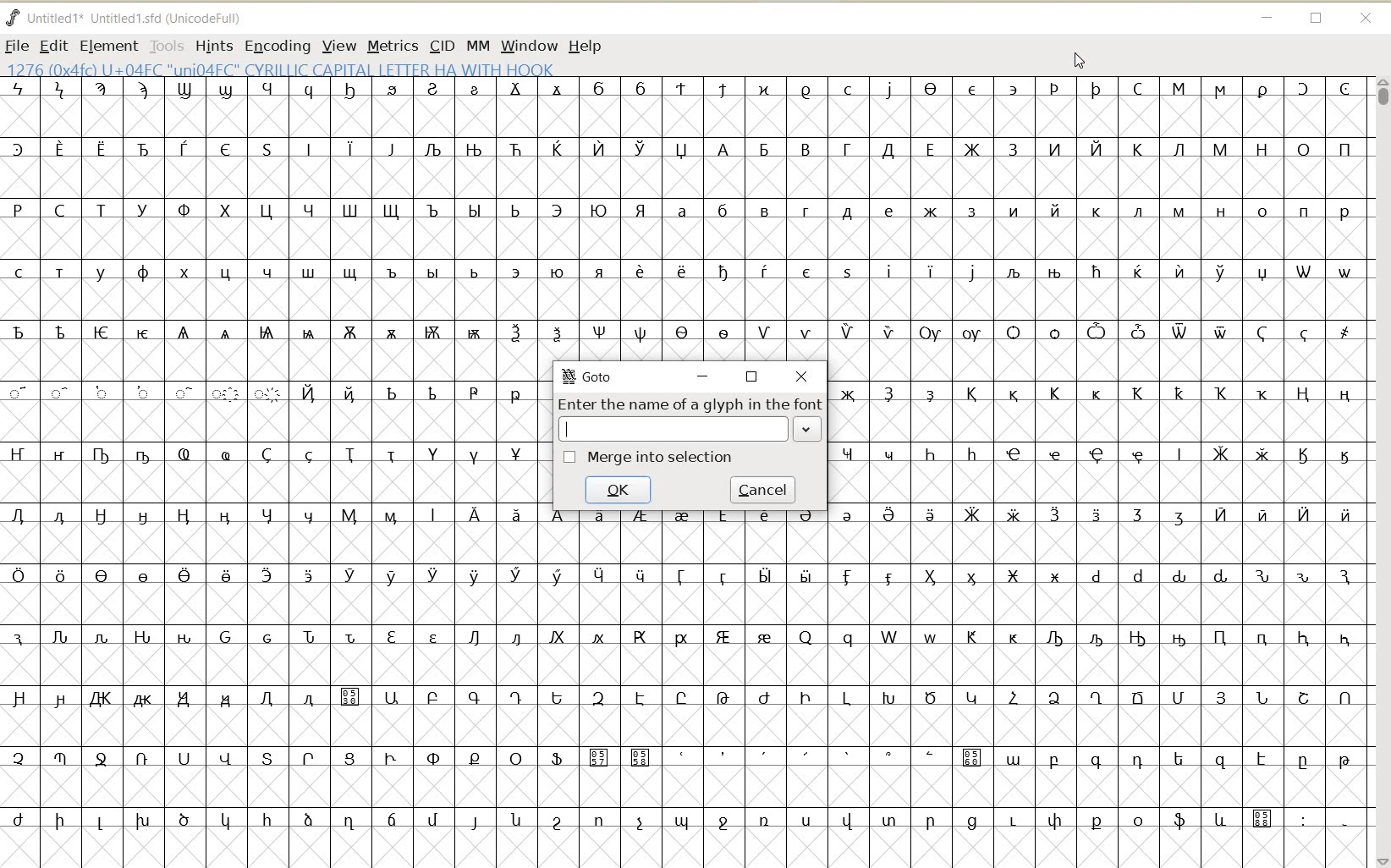 This screenshot has height=868, width=1391. I want to click on MINIMIZE, so click(1267, 18).